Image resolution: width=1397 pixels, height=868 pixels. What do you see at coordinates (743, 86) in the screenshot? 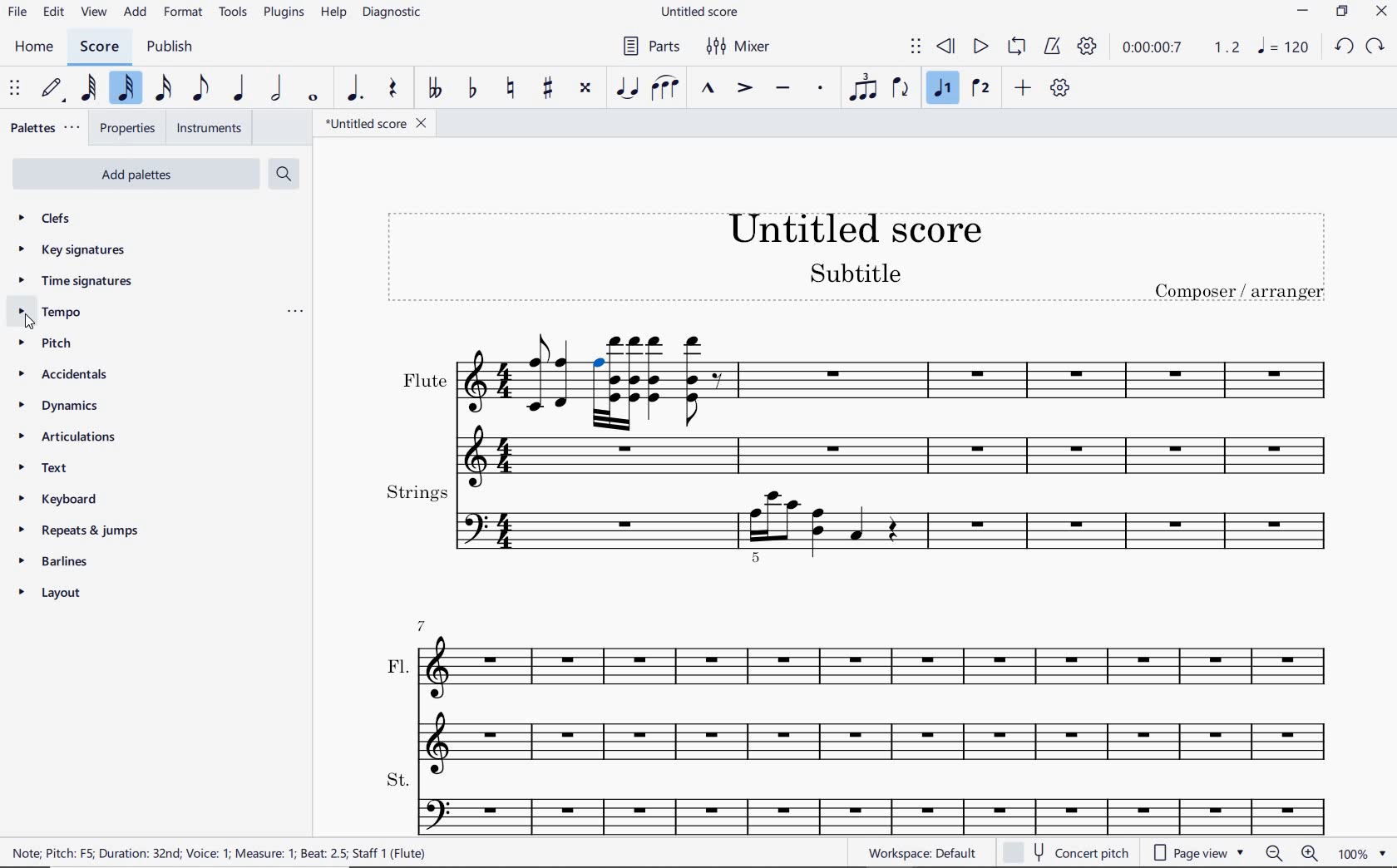
I see `ACCENT` at bounding box center [743, 86].